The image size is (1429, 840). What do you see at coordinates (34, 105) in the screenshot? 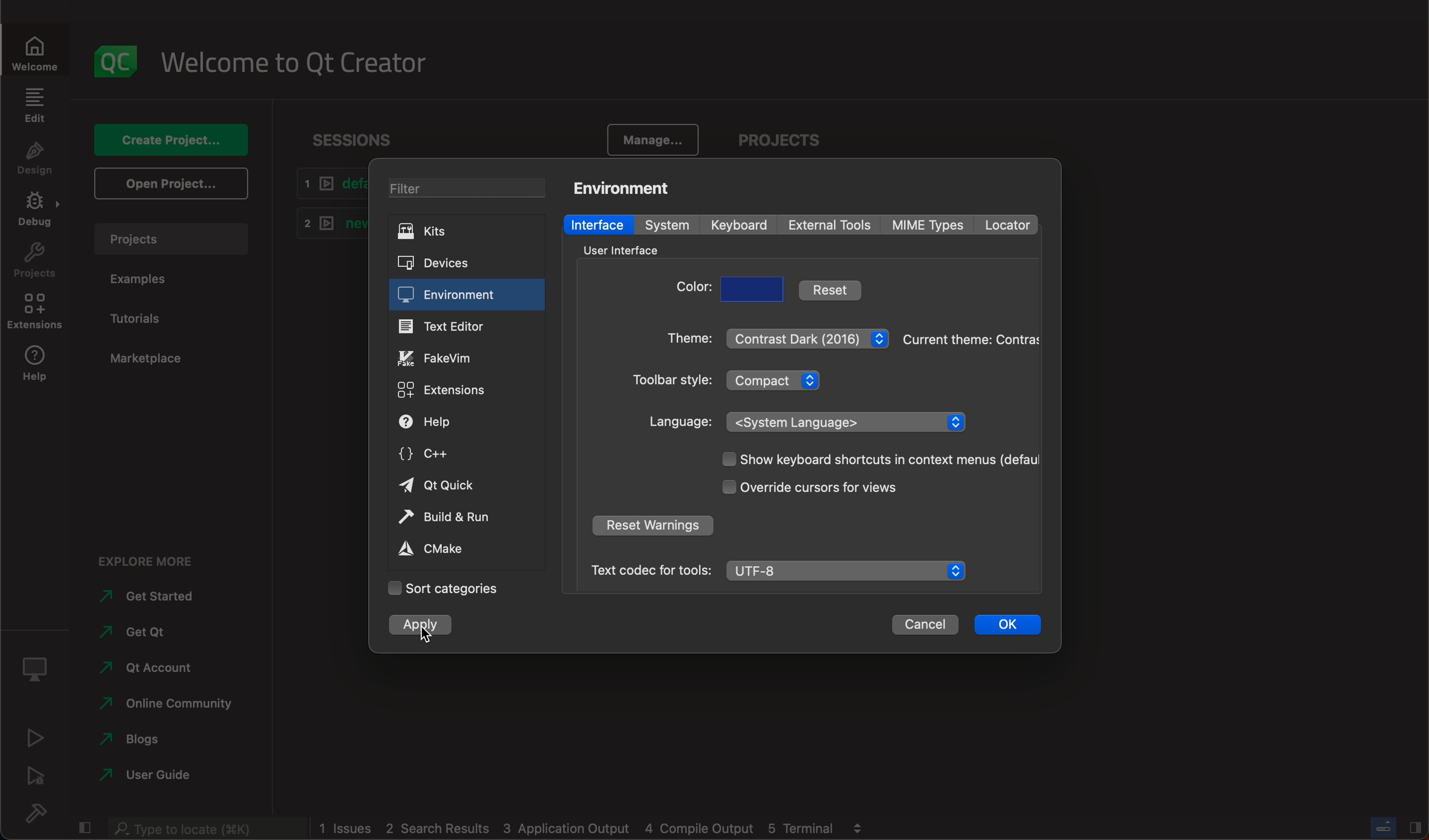
I see `edit` at bounding box center [34, 105].